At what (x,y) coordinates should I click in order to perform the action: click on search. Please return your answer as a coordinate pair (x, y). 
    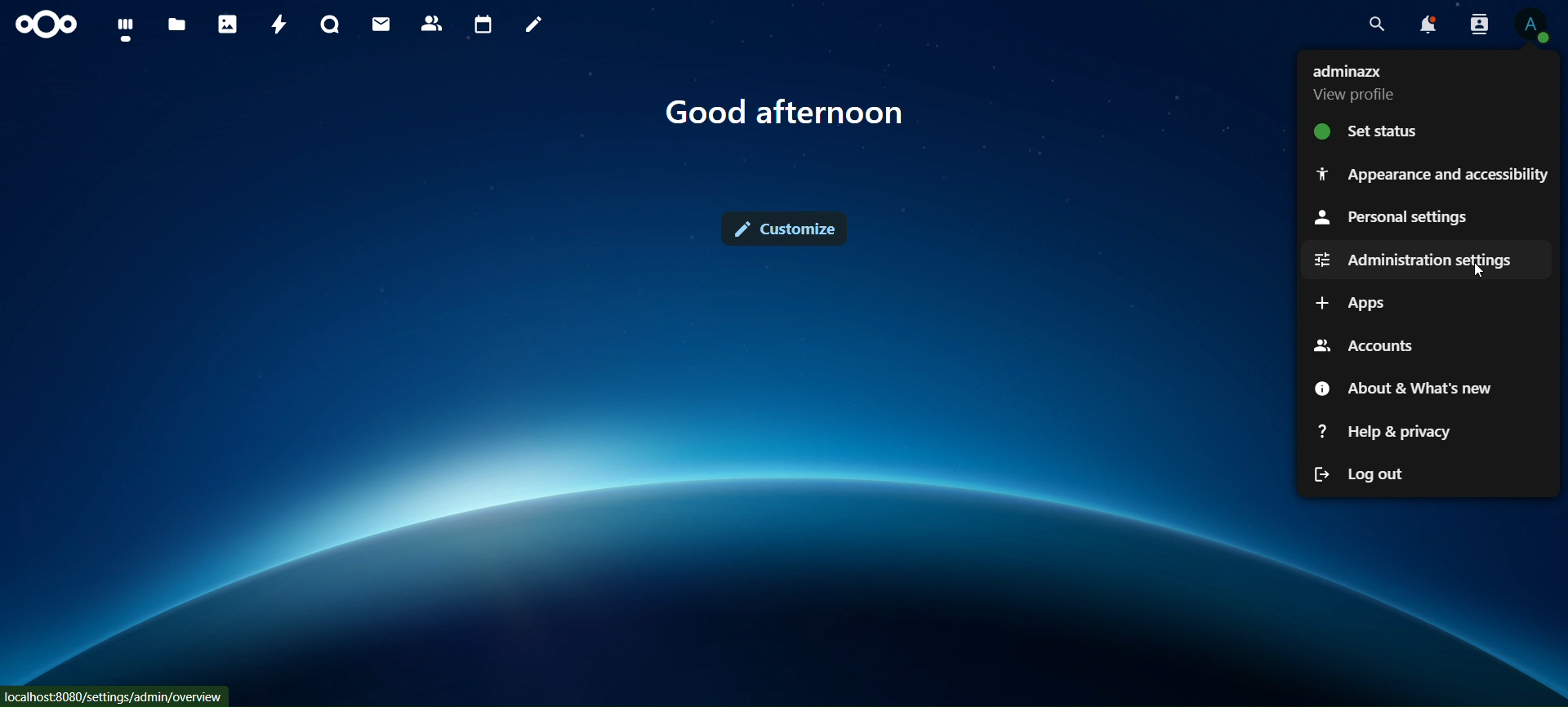
    Looking at the image, I should click on (1377, 25).